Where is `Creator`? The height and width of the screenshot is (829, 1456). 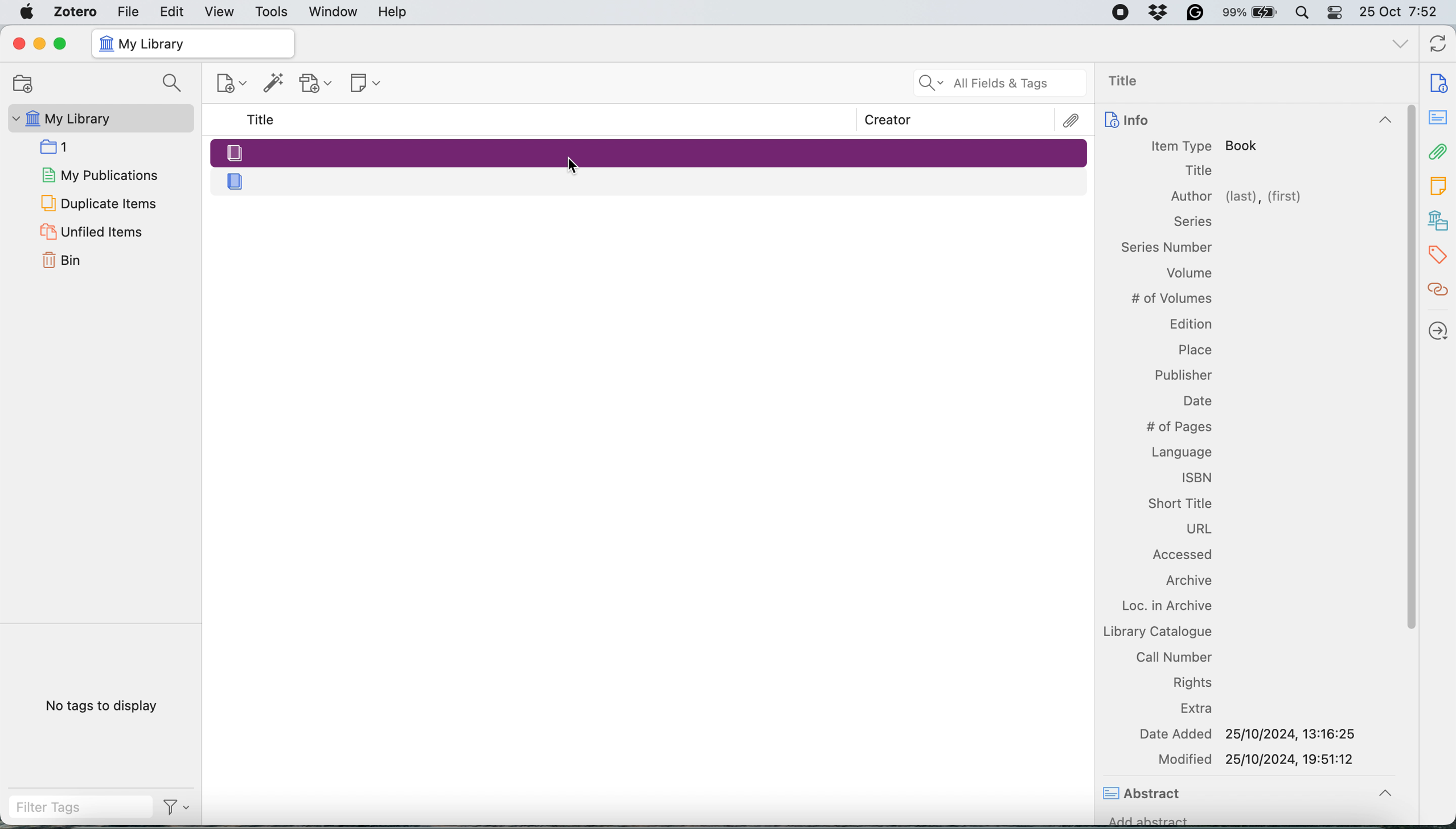
Creator is located at coordinates (888, 120).